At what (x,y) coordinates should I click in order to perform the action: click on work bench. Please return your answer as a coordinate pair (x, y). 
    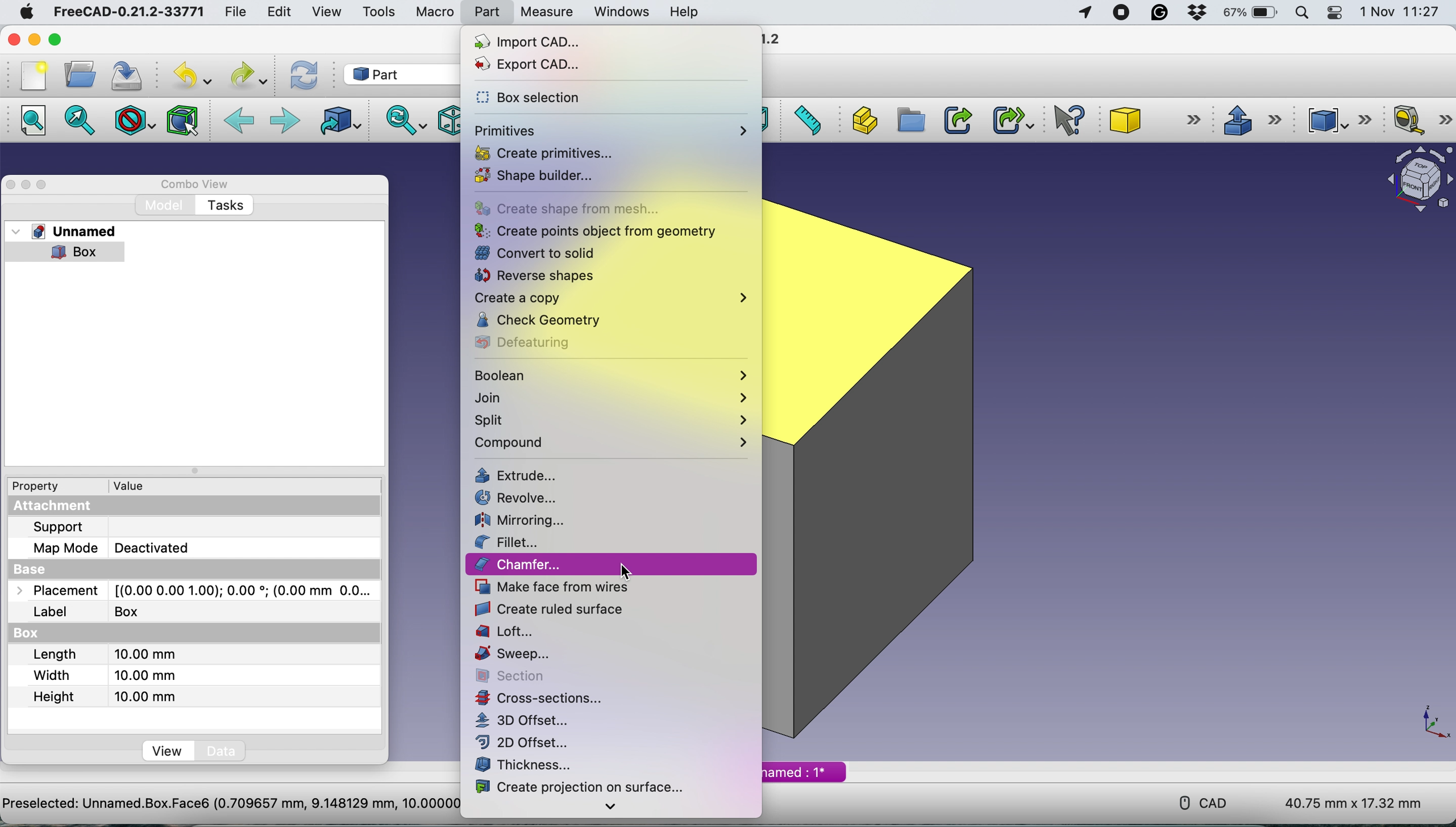
    Looking at the image, I should click on (398, 73).